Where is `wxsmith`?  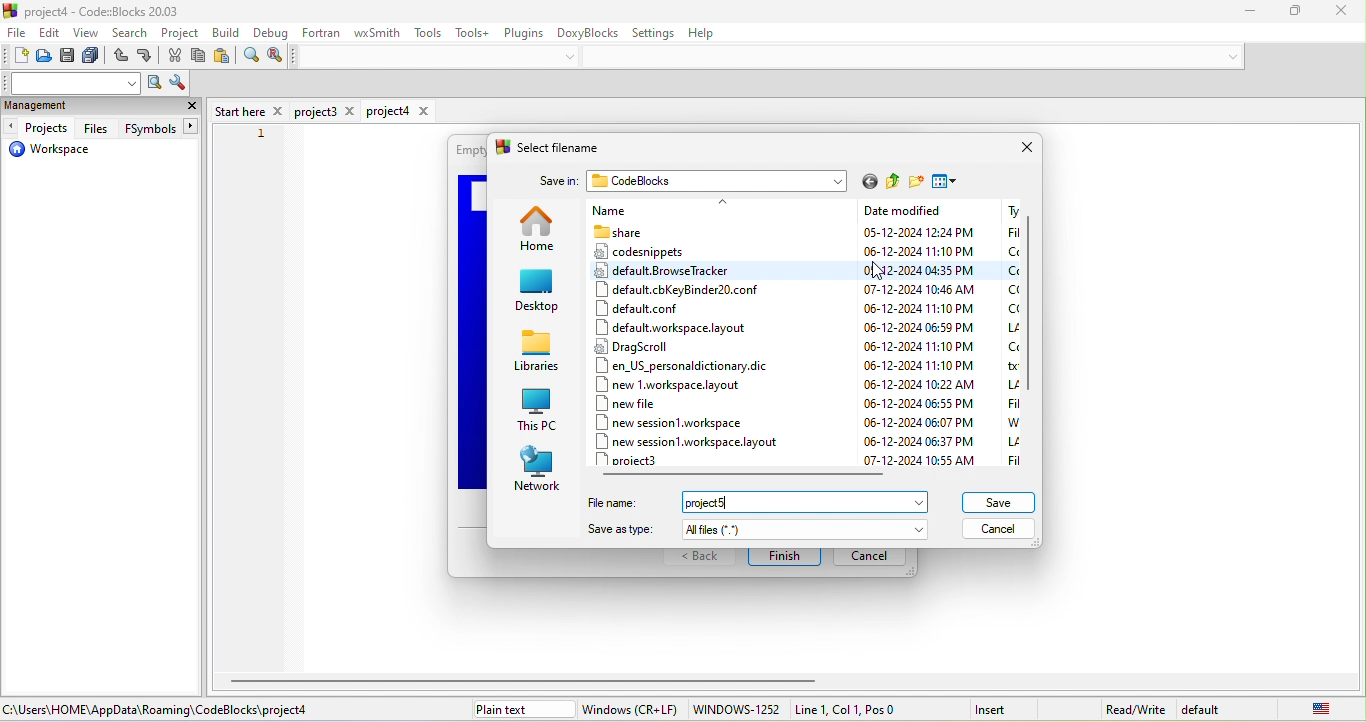 wxsmith is located at coordinates (374, 34).